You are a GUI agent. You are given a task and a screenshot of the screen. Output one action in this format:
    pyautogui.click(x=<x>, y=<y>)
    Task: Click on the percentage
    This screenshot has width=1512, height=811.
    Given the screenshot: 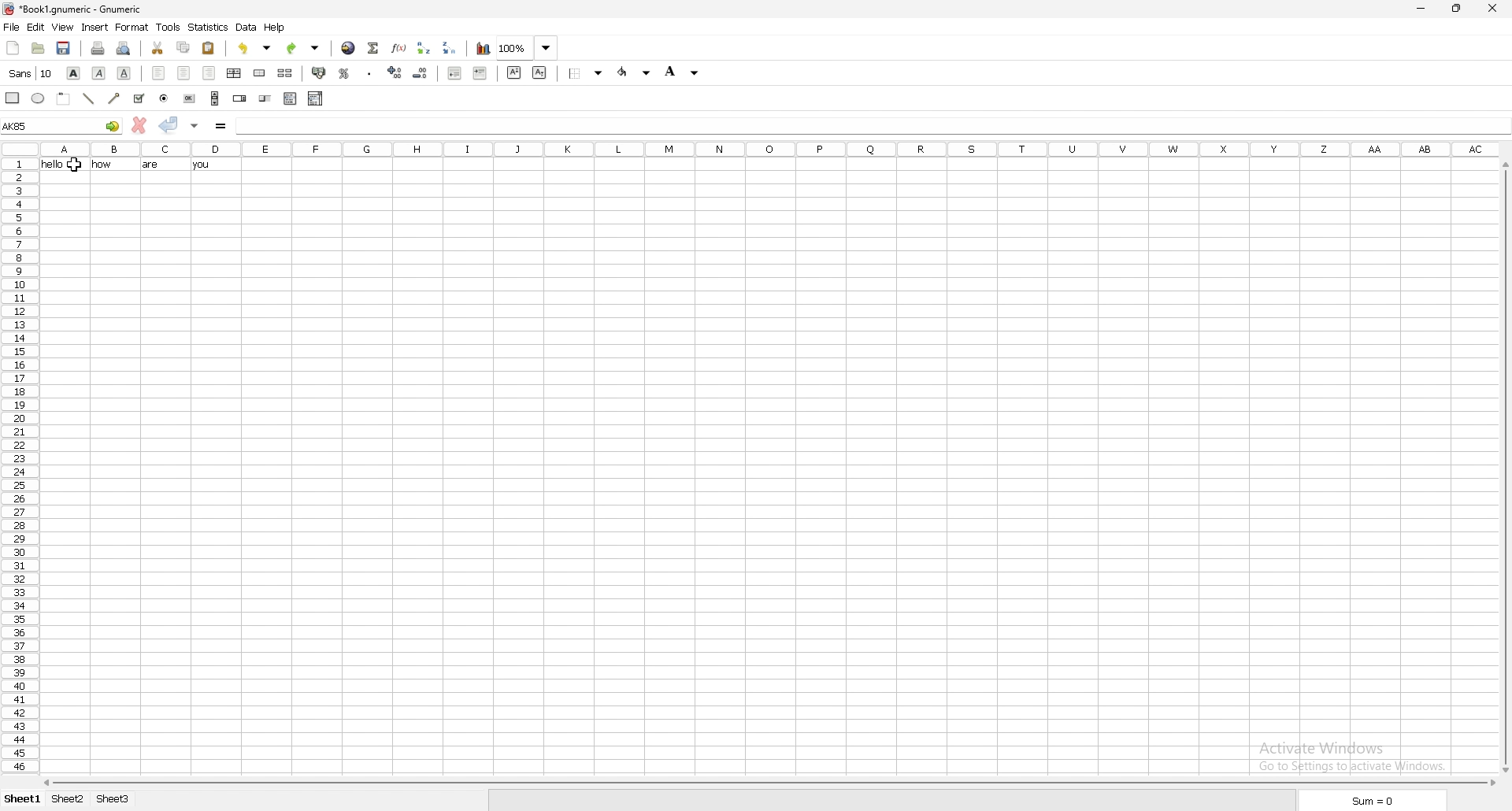 What is the action you would take?
    pyautogui.click(x=346, y=72)
    